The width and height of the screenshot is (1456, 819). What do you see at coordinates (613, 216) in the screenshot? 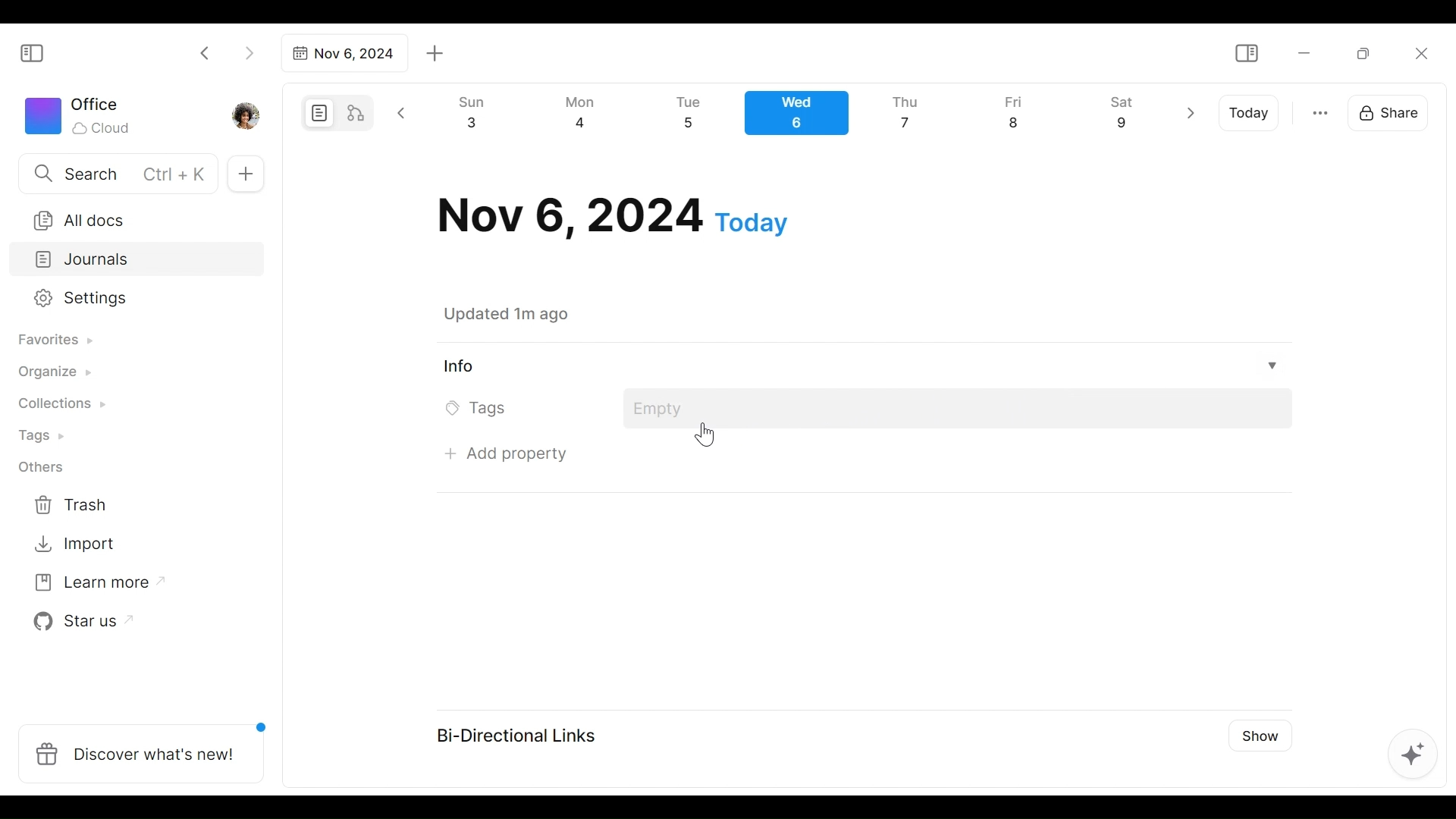
I see `Date` at bounding box center [613, 216].